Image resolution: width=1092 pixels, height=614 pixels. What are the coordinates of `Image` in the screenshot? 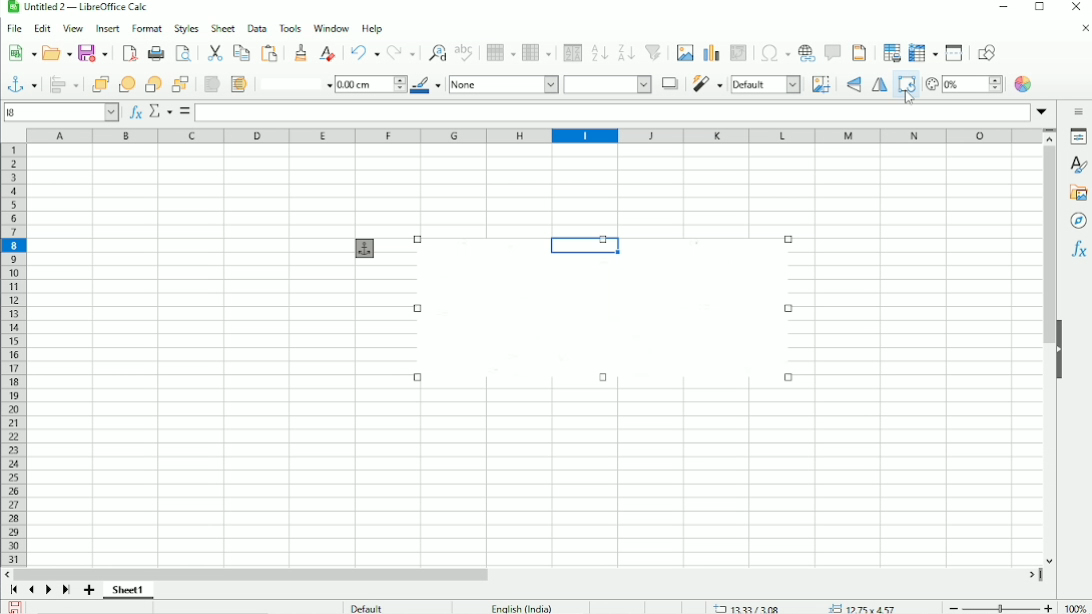 It's located at (605, 311).